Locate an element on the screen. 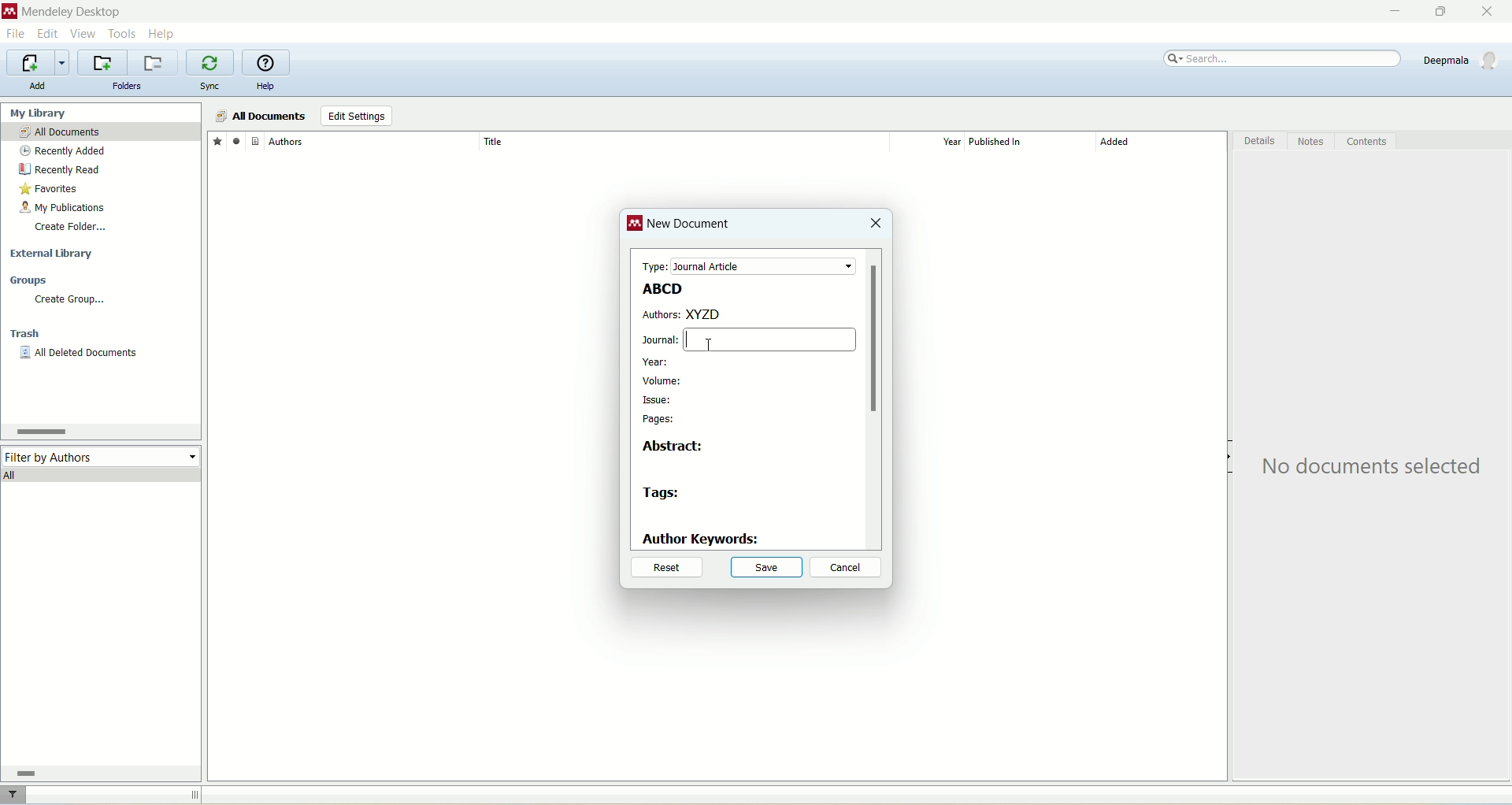 The height and width of the screenshot is (805, 1512). tags is located at coordinates (663, 495).